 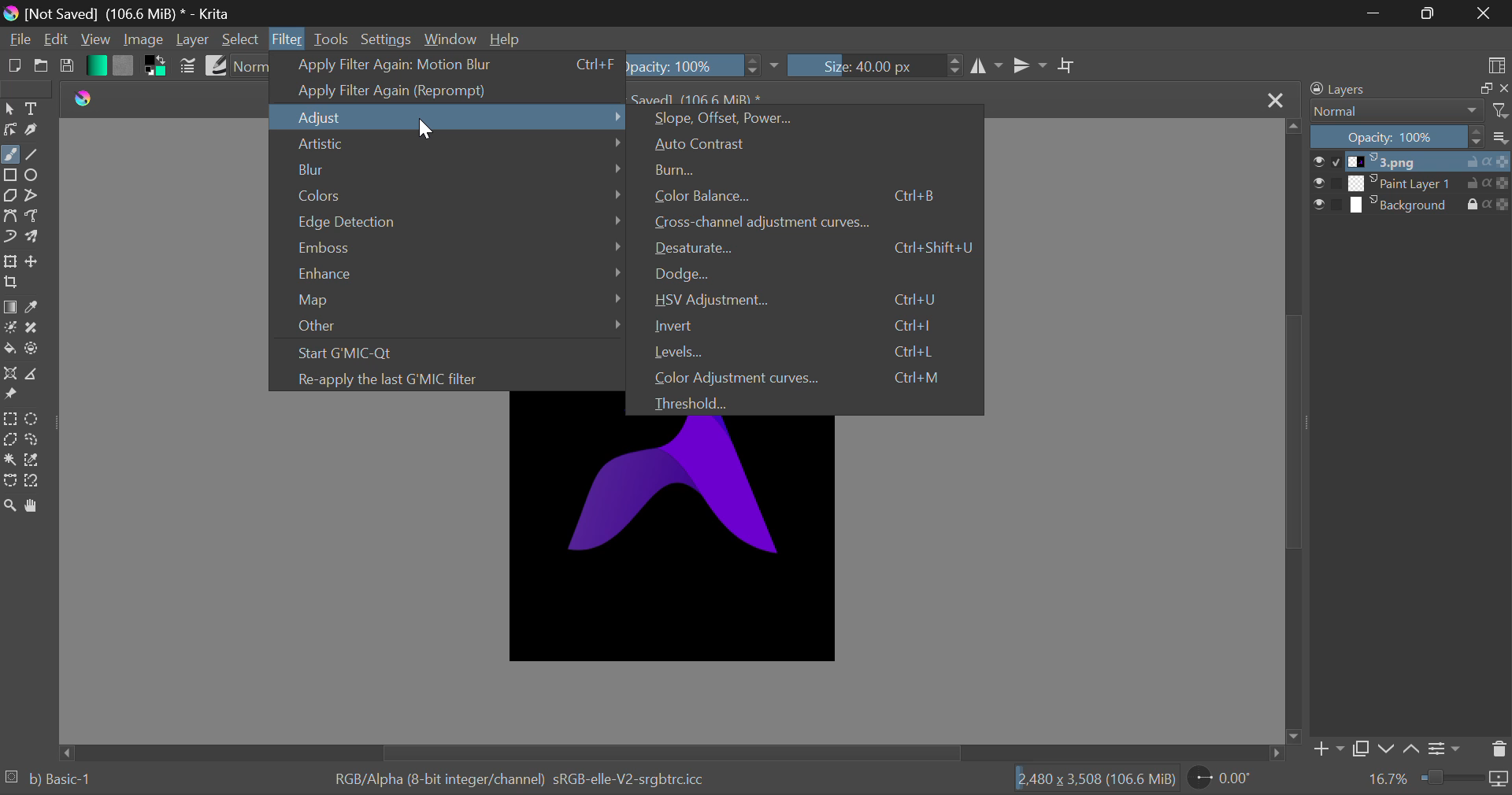 I want to click on Edit Shapes, so click(x=10, y=130).